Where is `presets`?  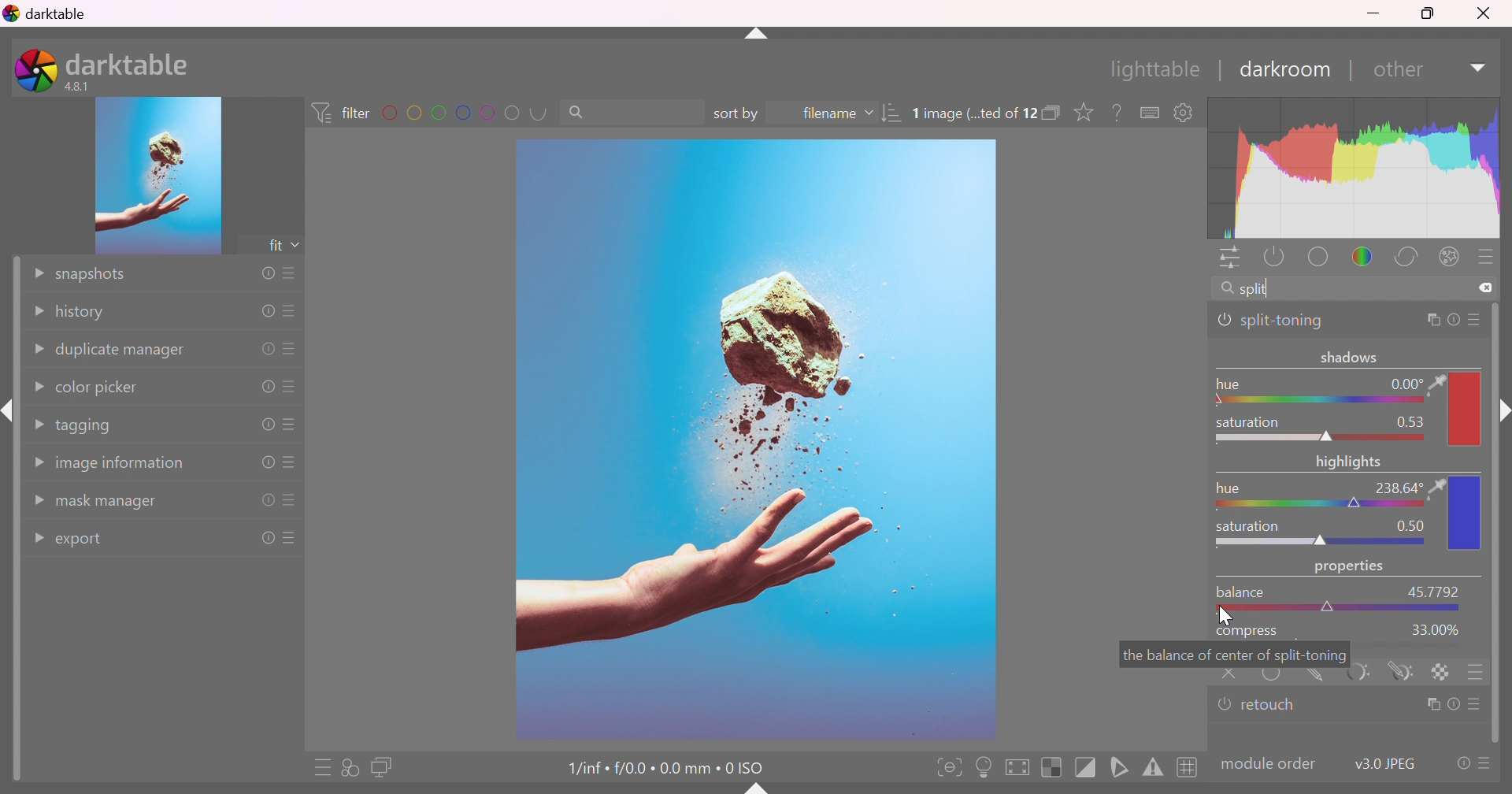 presets is located at coordinates (292, 540).